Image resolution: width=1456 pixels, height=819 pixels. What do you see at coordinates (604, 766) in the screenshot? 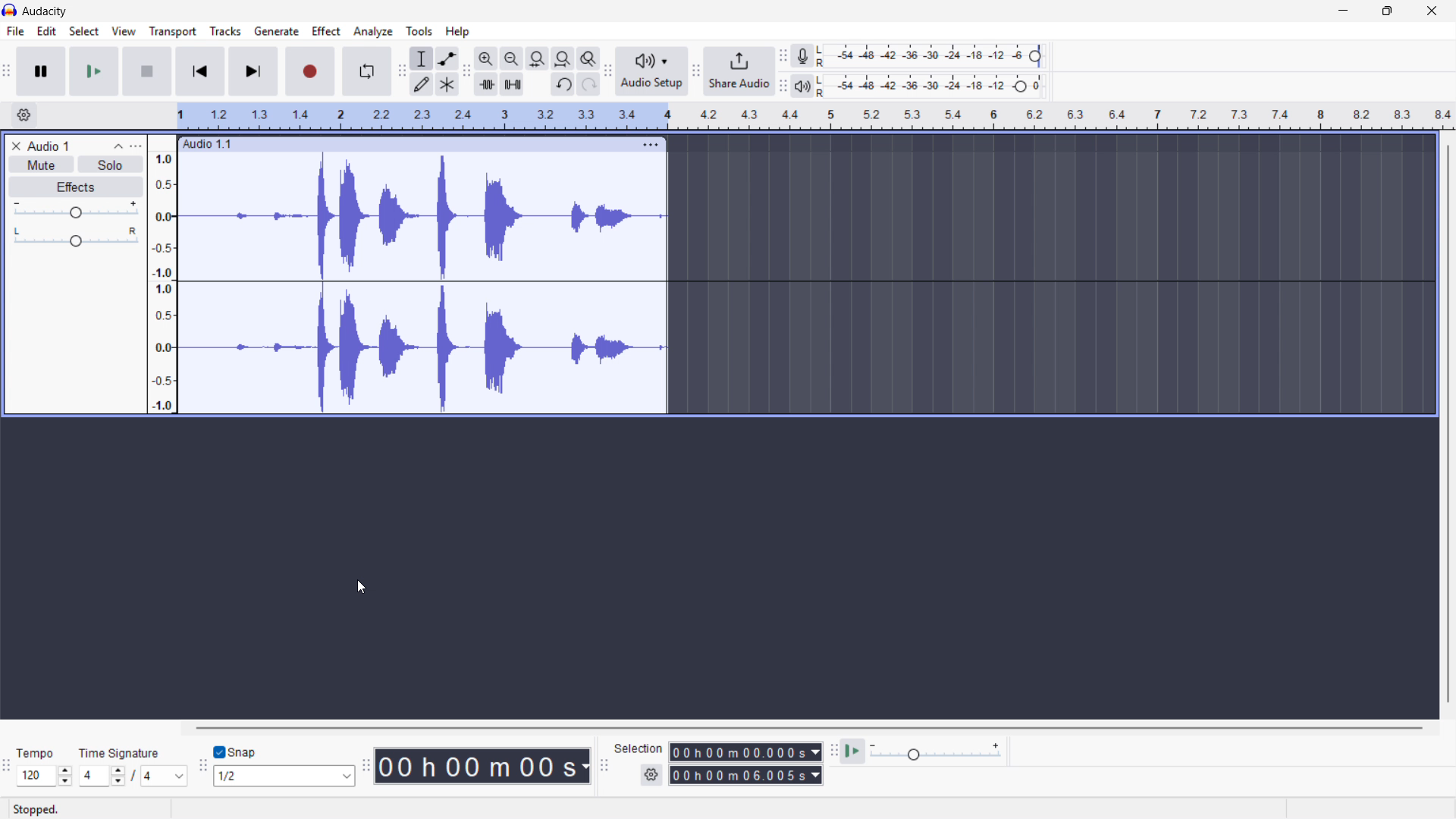
I see `selection toolbar` at bounding box center [604, 766].